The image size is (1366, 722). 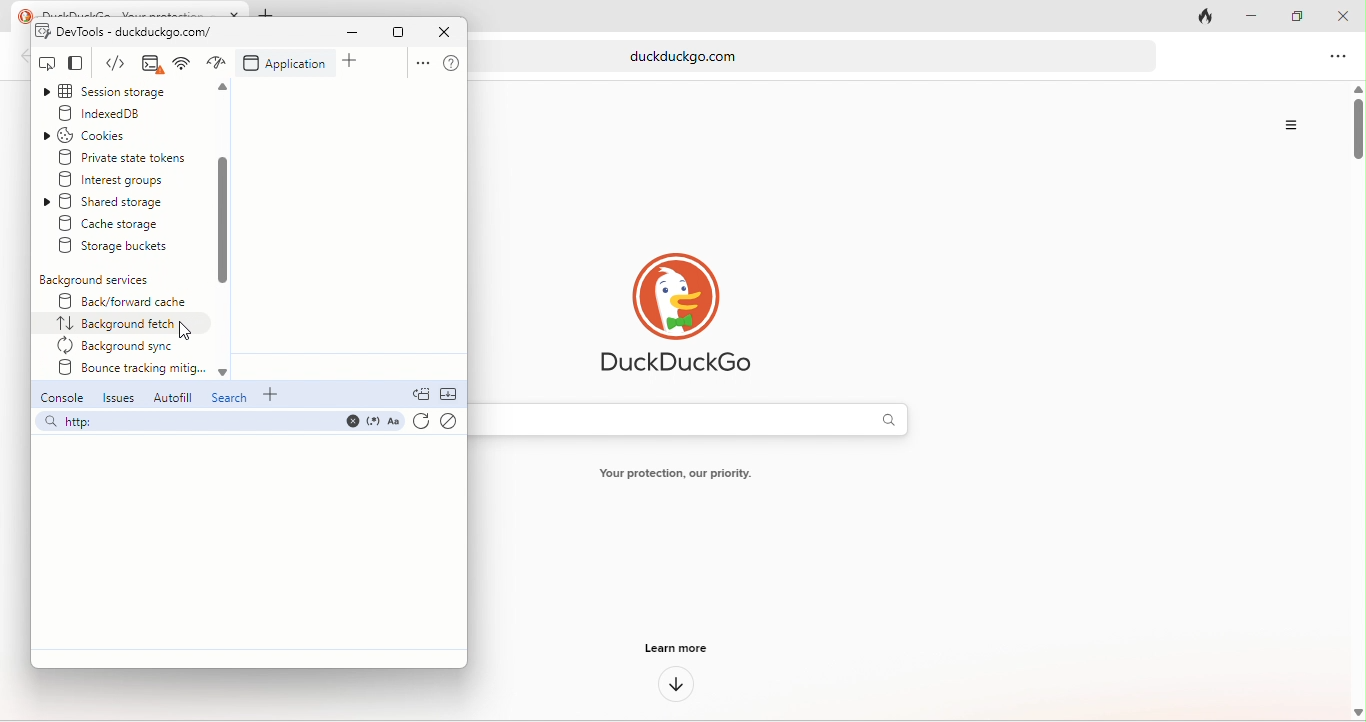 What do you see at coordinates (60, 399) in the screenshot?
I see `console` at bounding box center [60, 399].